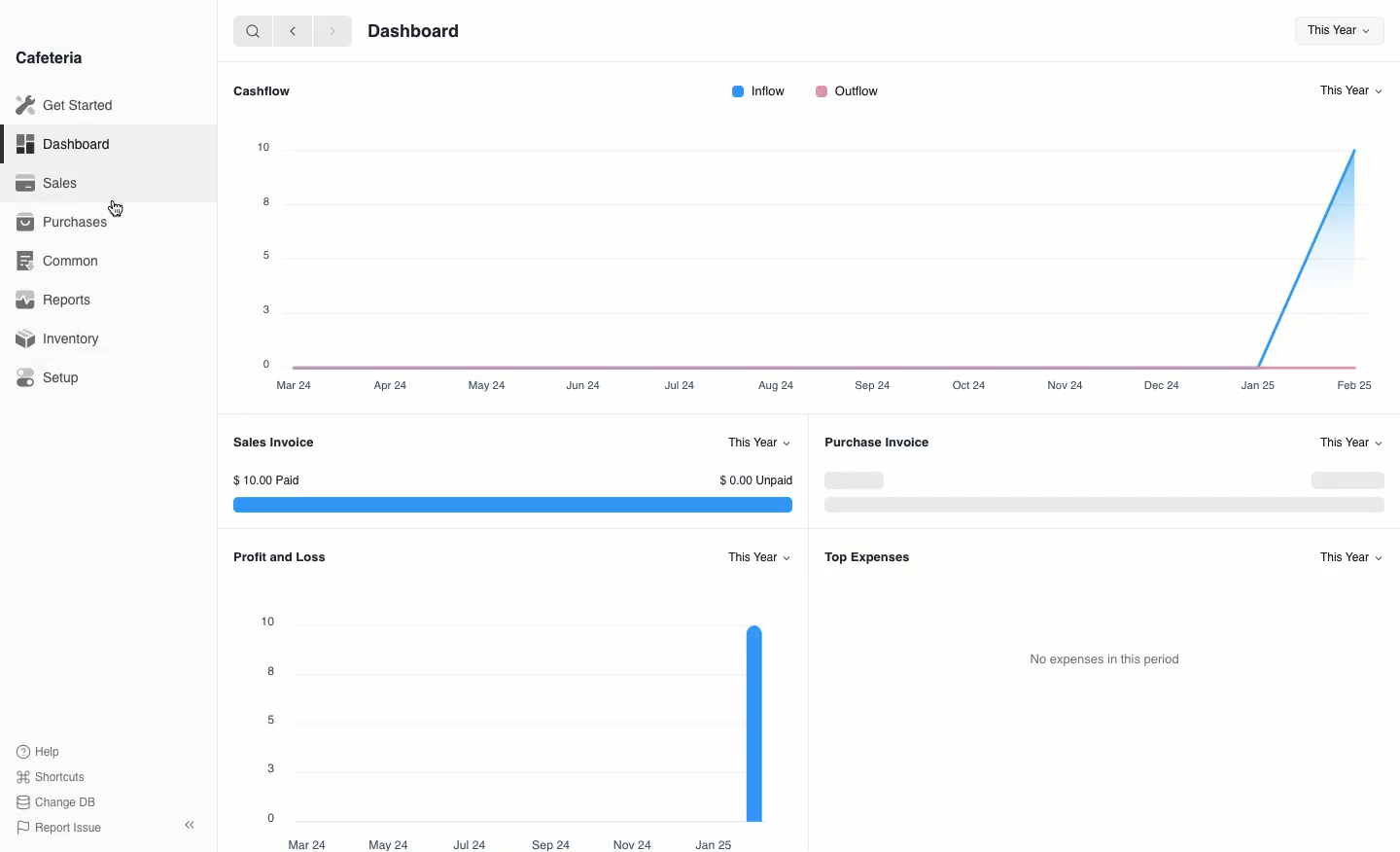 The image size is (1400, 852). Describe the element at coordinates (266, 151) in the screenshot. I see `10` at that location.